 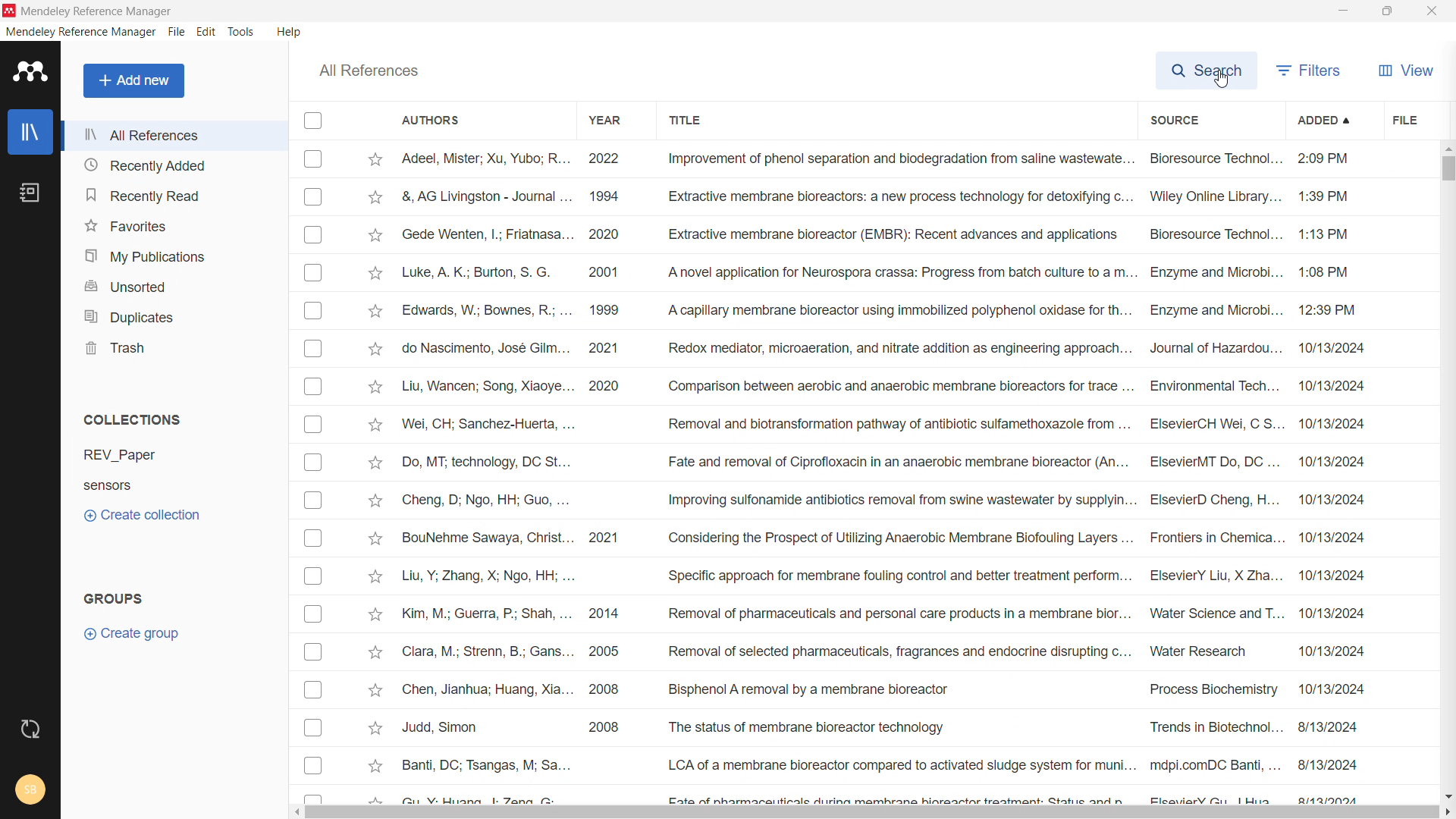 I want to click on source, so click(x=1210, y=120).